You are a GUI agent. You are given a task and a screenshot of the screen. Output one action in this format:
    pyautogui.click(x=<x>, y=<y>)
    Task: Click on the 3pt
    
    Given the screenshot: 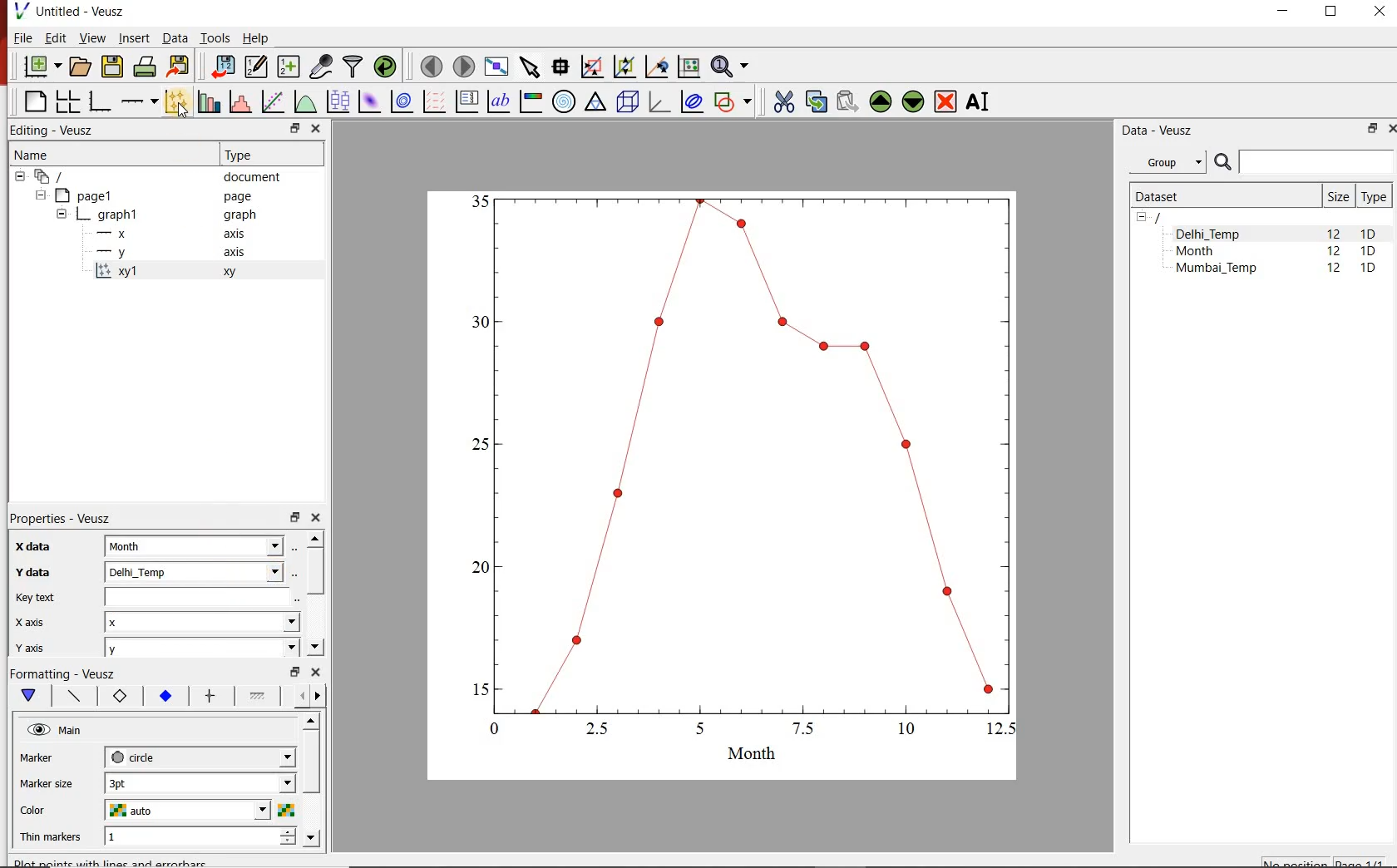 What is the action you would take?
    pyautogui.click(x=200, y=783)
    